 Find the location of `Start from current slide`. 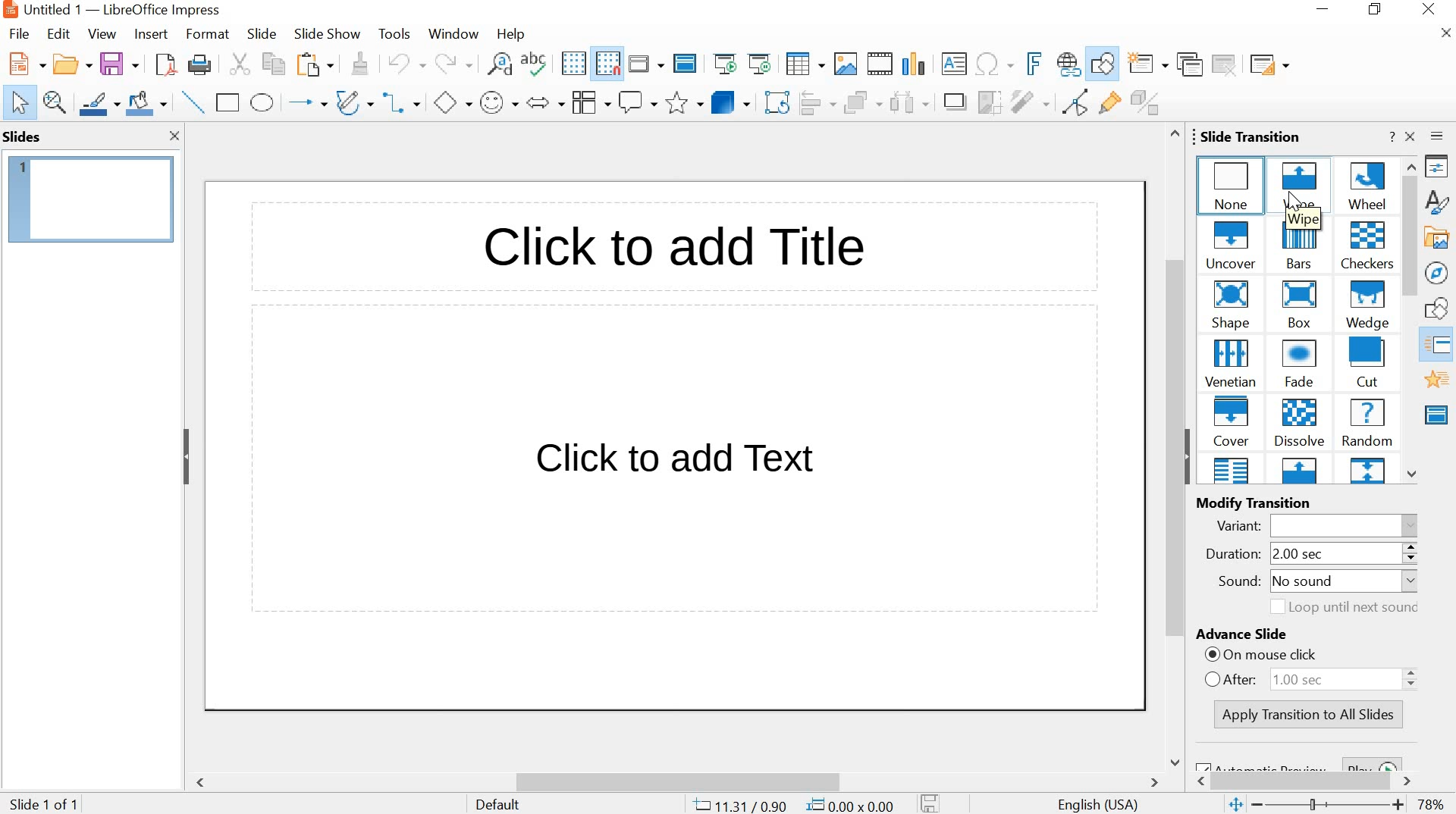

Start from current slide is located at coordinates (758, 64).